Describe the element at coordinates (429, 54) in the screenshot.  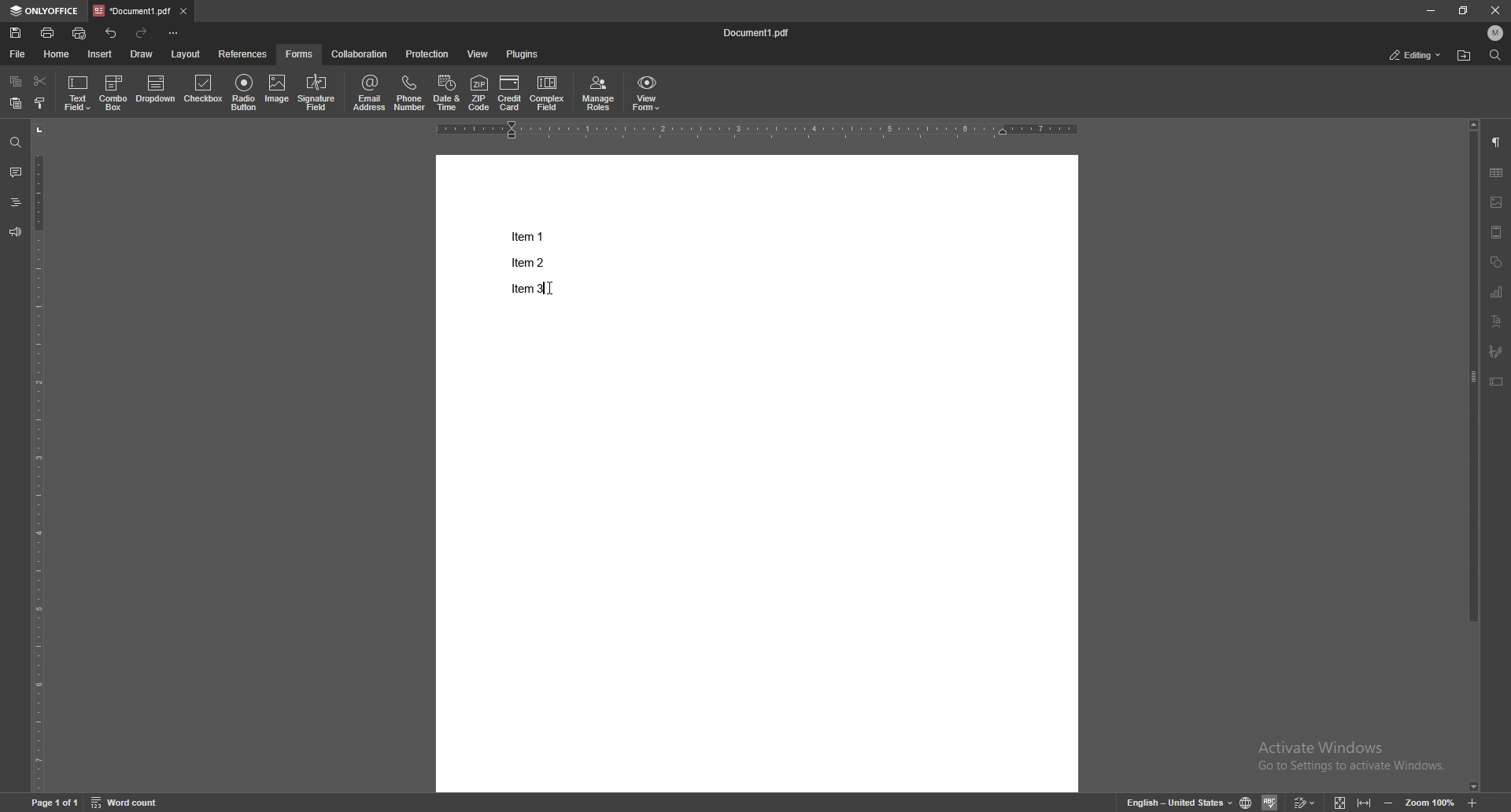
I see `protection` at that location.